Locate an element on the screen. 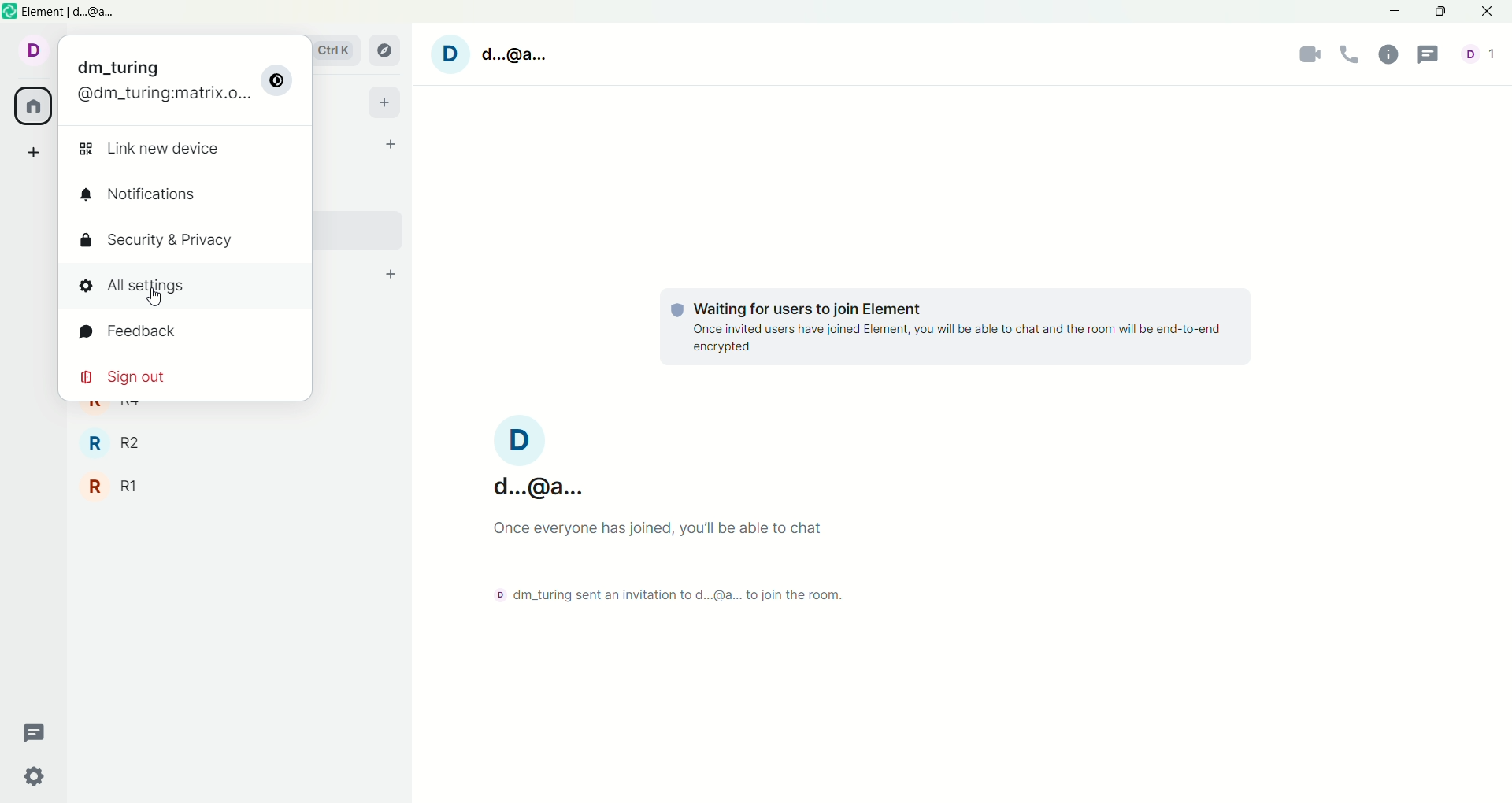 This screenshot has height=803, width=1512. close is located at coordinates (1489, 13).